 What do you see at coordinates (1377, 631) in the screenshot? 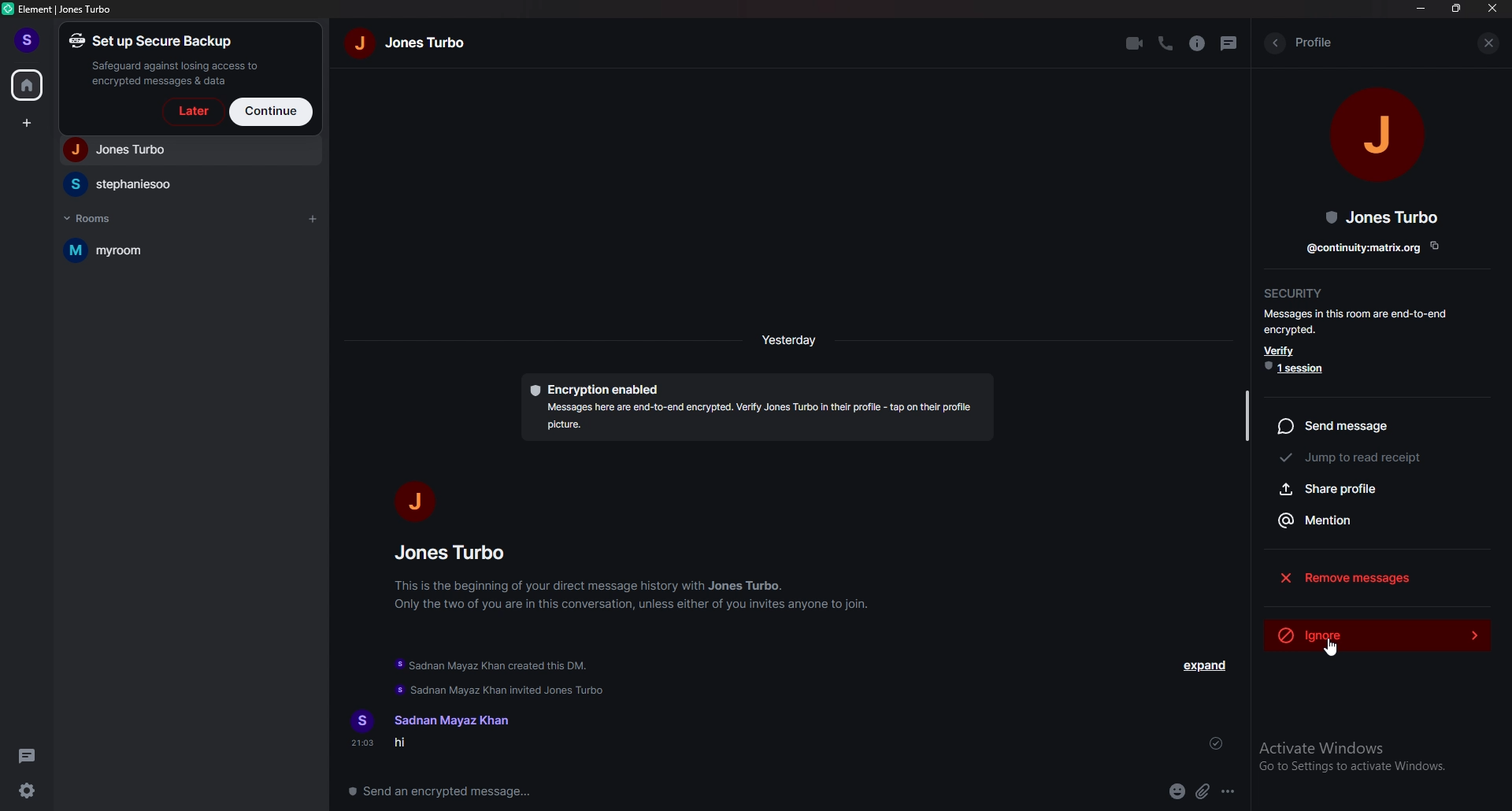
I see `ignore` at bounding box center [1377, 631].